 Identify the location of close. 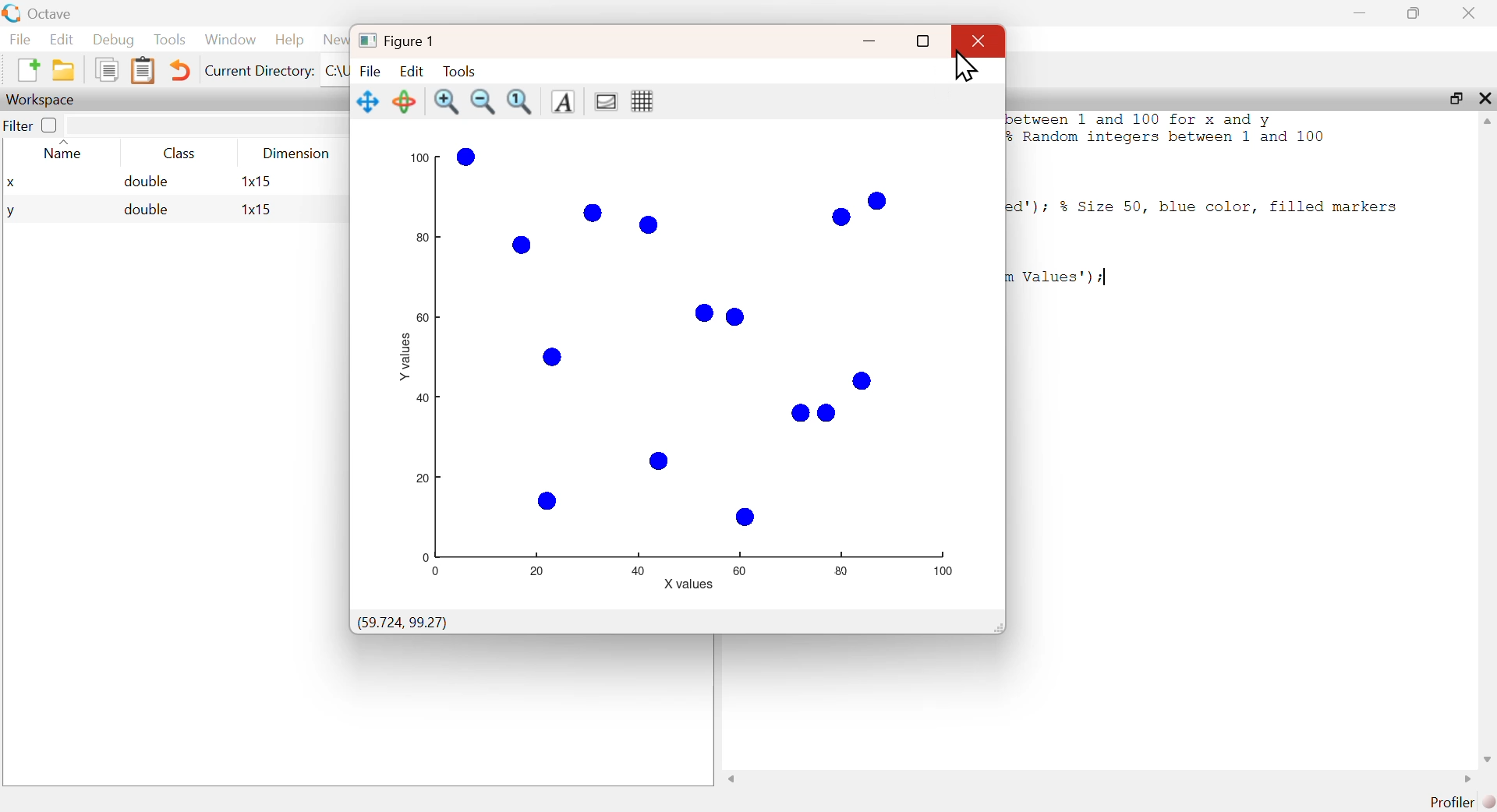
(1485, 97).